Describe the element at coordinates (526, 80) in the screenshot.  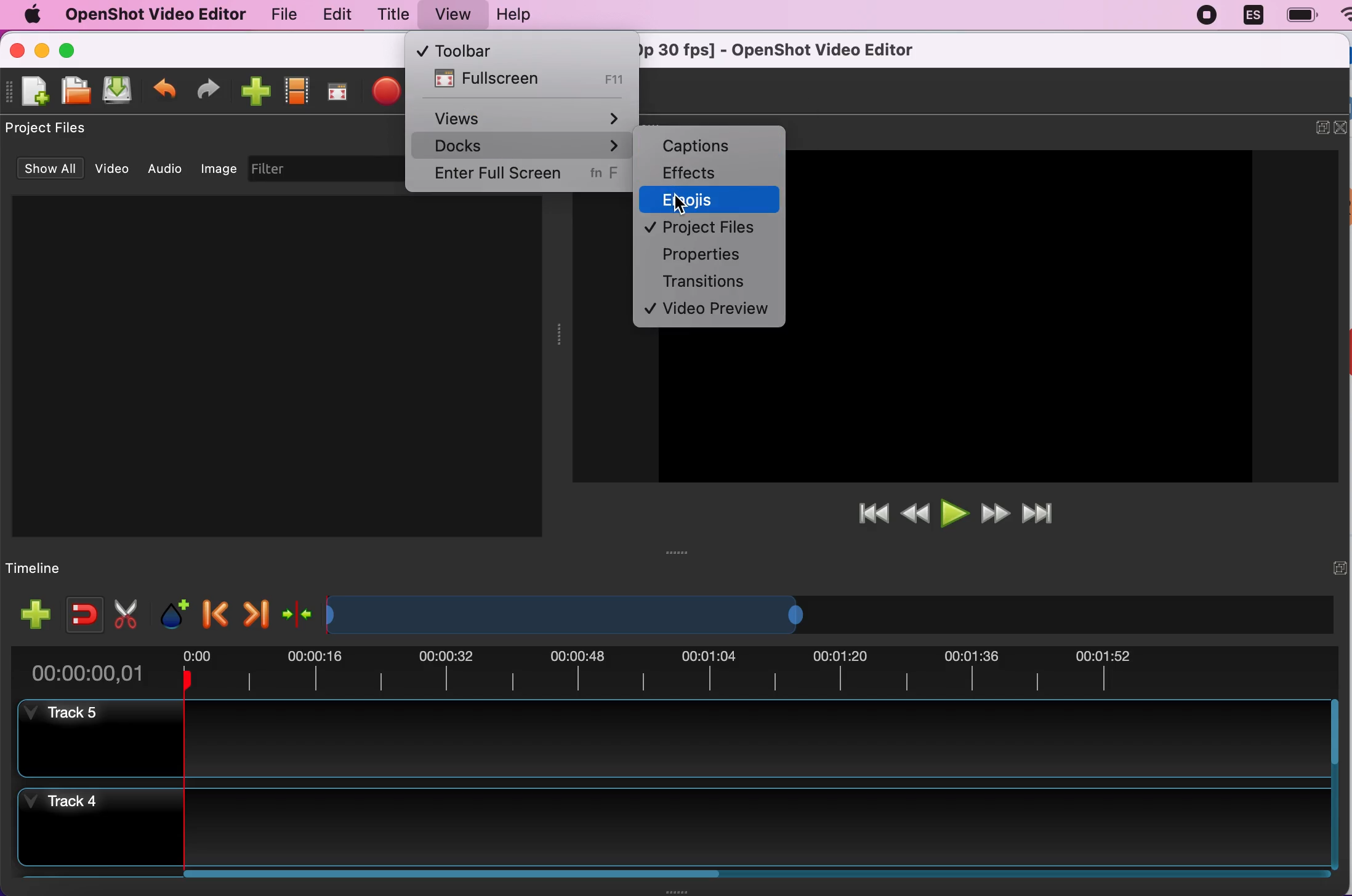
I see `fullscreen` at that location.